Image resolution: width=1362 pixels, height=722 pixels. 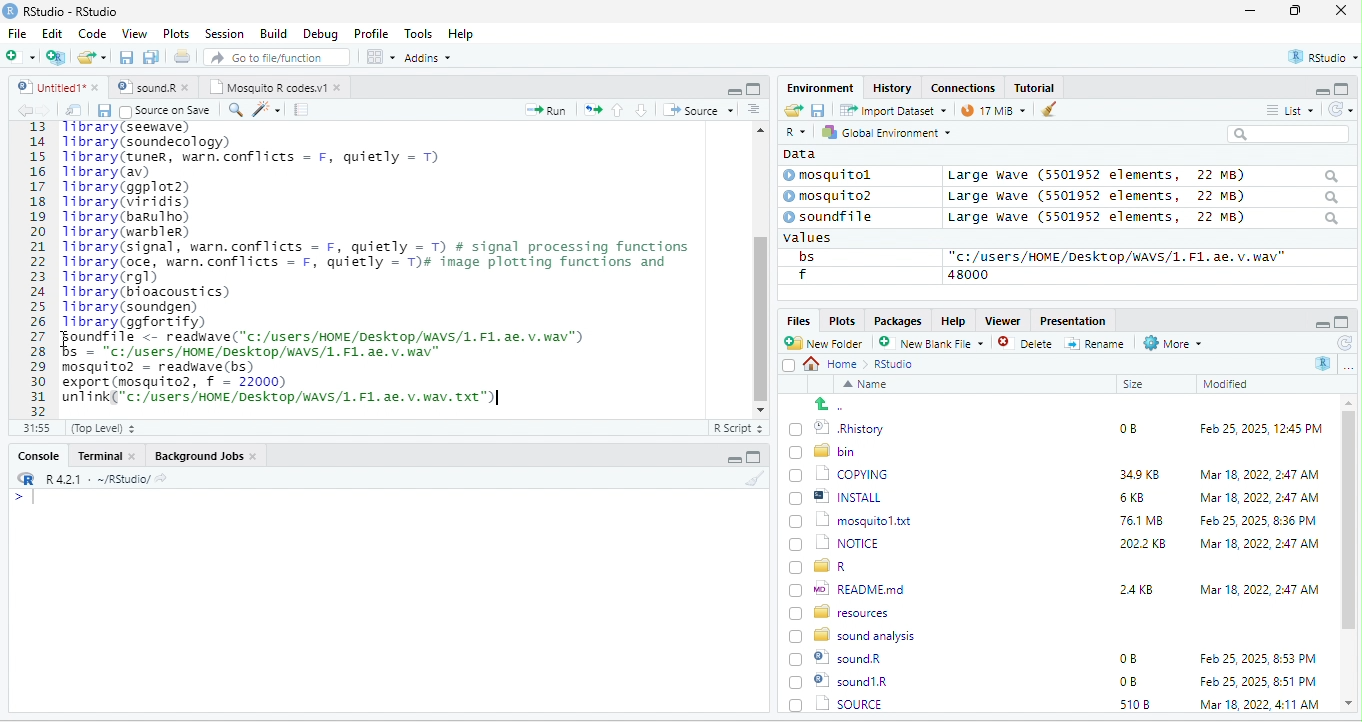 What do you see at coordinates (891, 109) in the screenshot?
I see `# import Dataset` at bounding box center [891, 109].